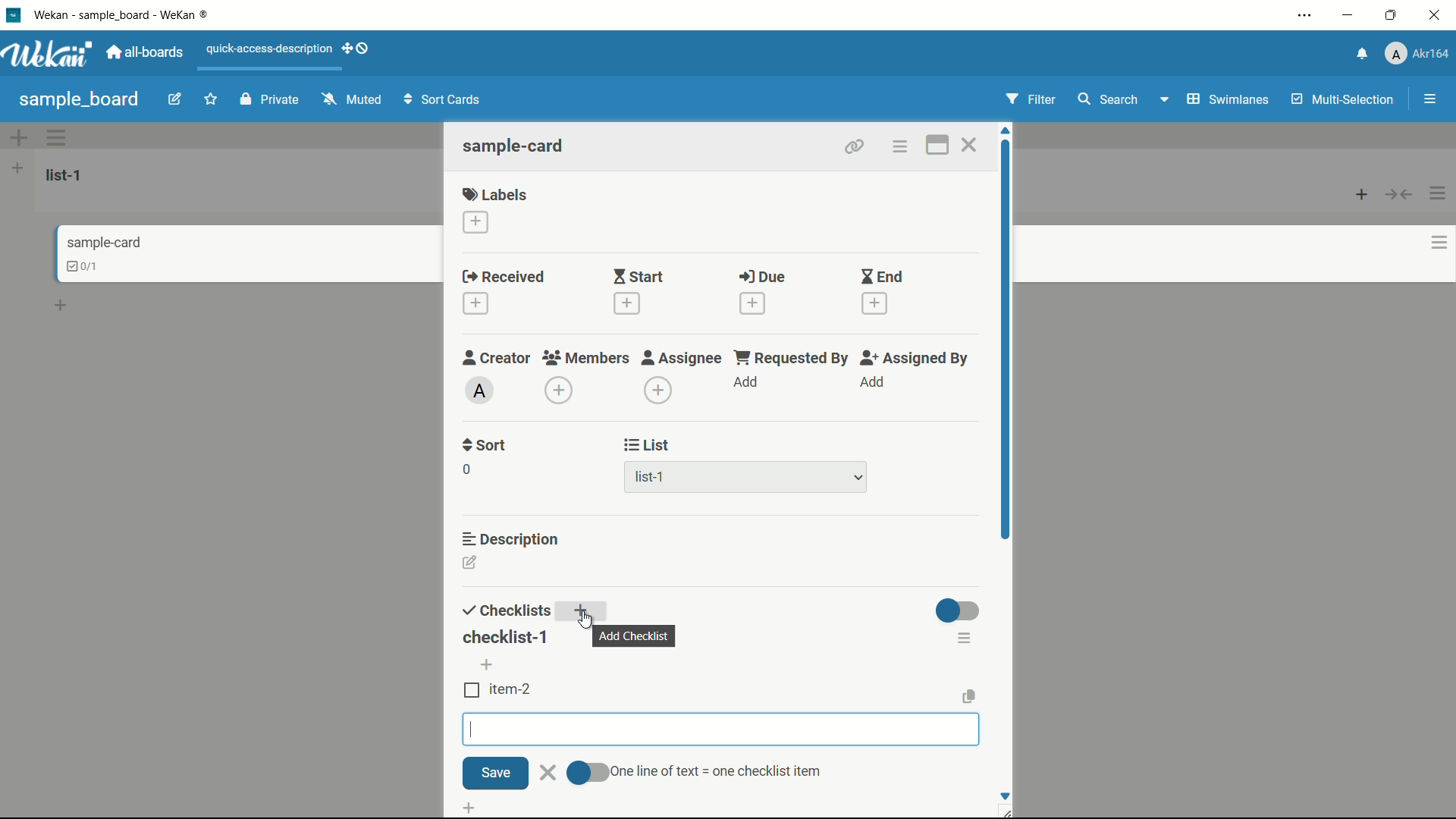 The height and width of the screenshot is (819, 1456). Describe the element at coordinates (1106, 99) in the screenshot. I see `search` at that location.